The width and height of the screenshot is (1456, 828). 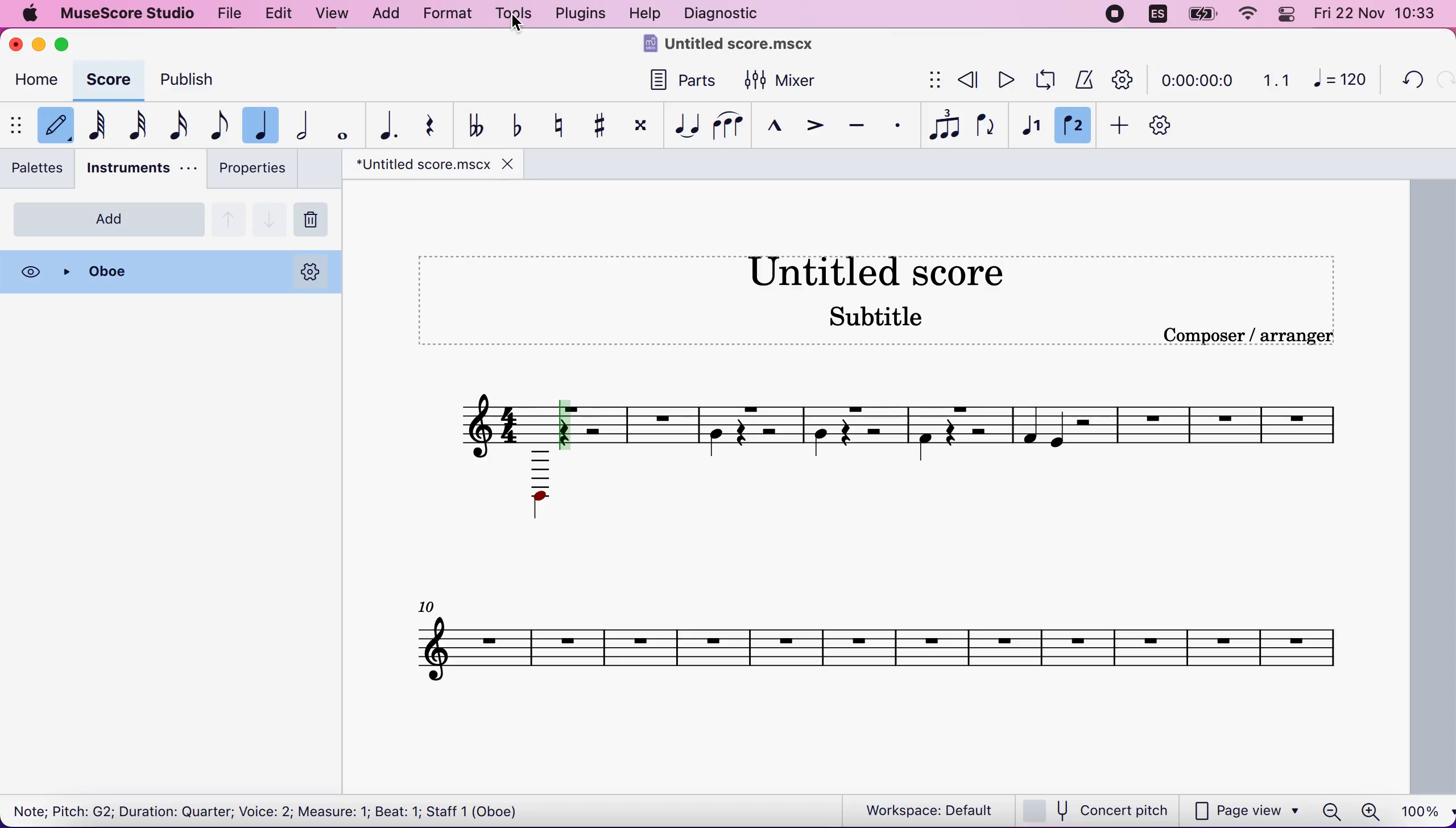 What do you see at coordinates (1408, 82) in the screenshot?
I see `undo` at bounding box center [1408, 82].